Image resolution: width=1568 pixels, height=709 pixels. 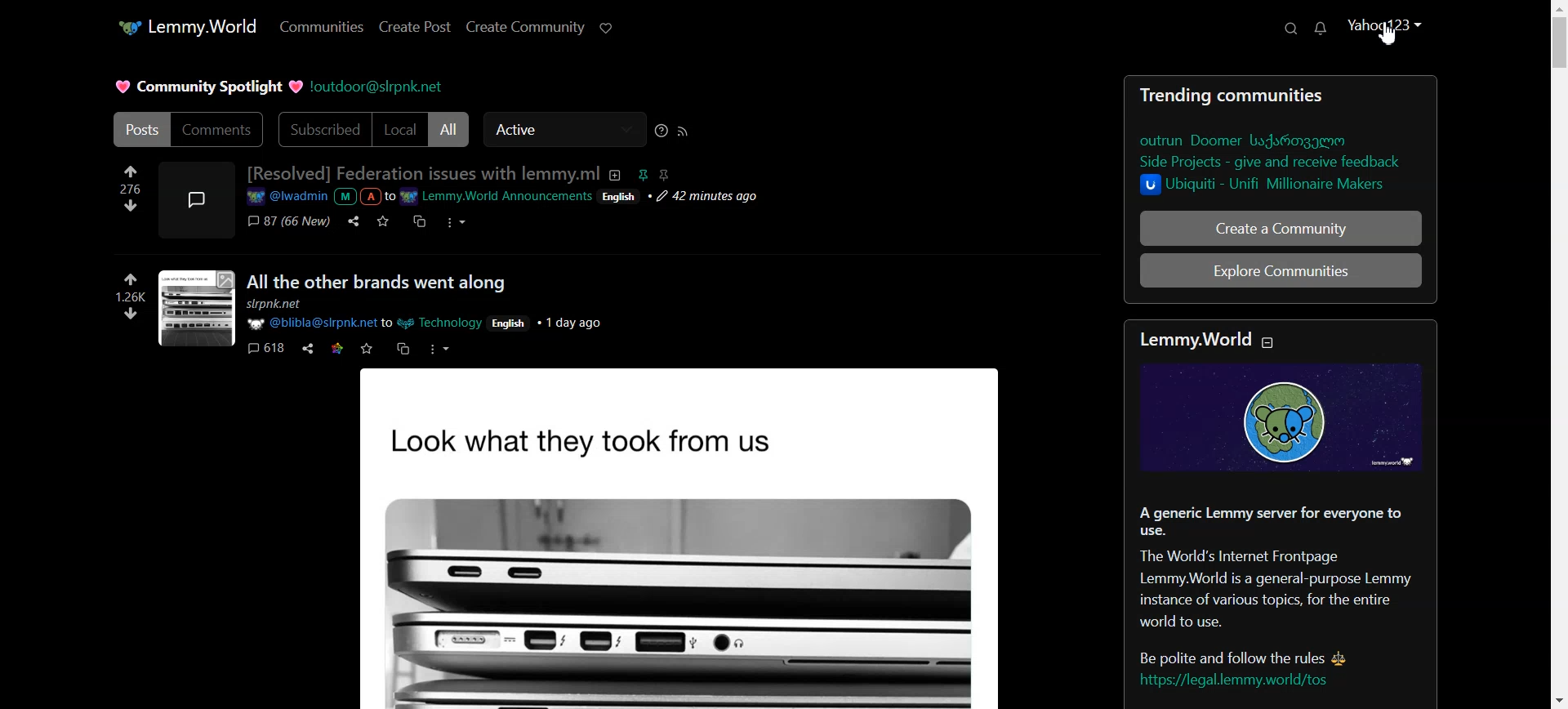 What do you see at coordinates (440, 349) in the screenshot?
I see `more actions` at bounding box center [440, 349].